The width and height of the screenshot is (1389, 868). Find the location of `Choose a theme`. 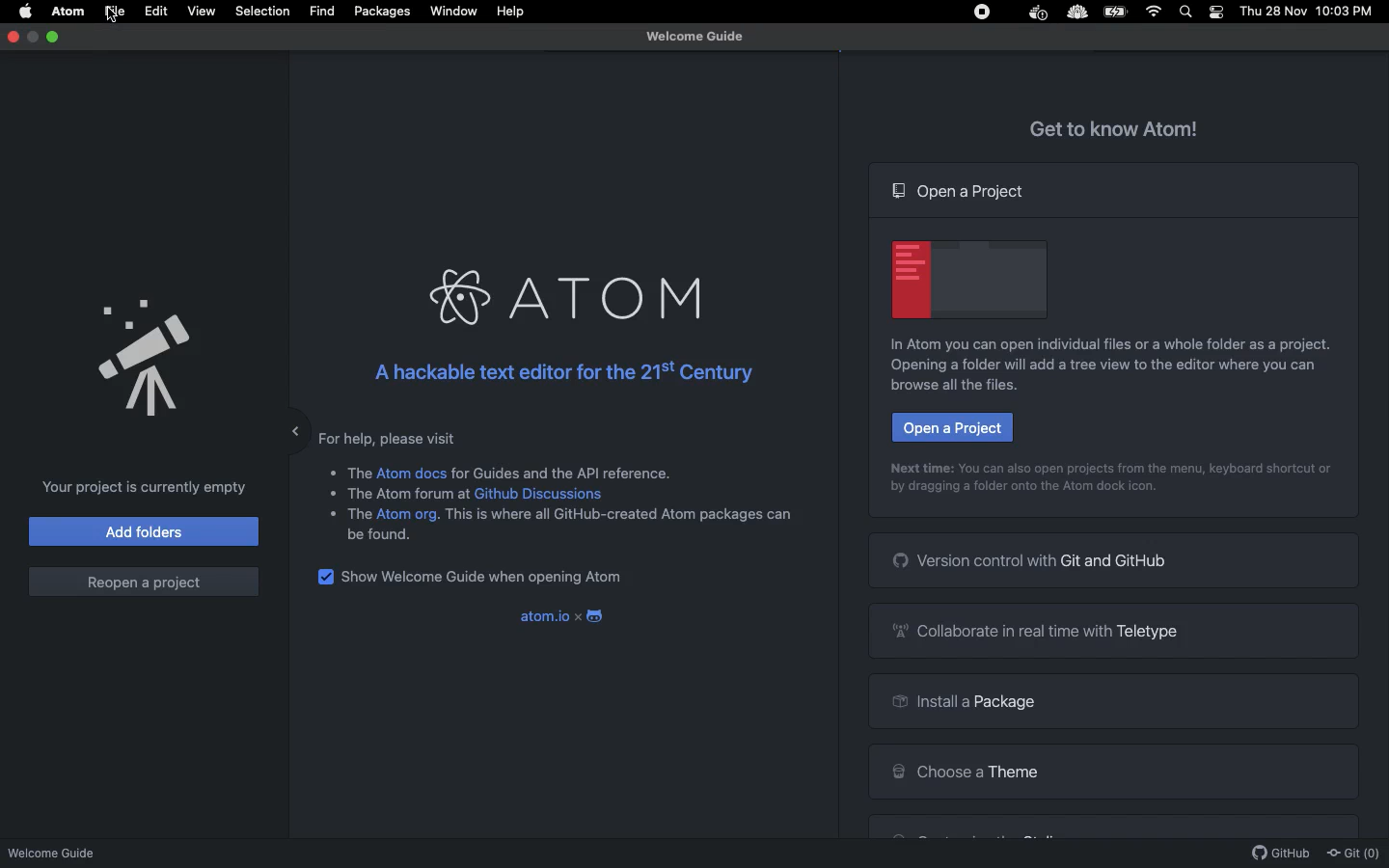

Choose a theme is located at coordinates (965, 769).